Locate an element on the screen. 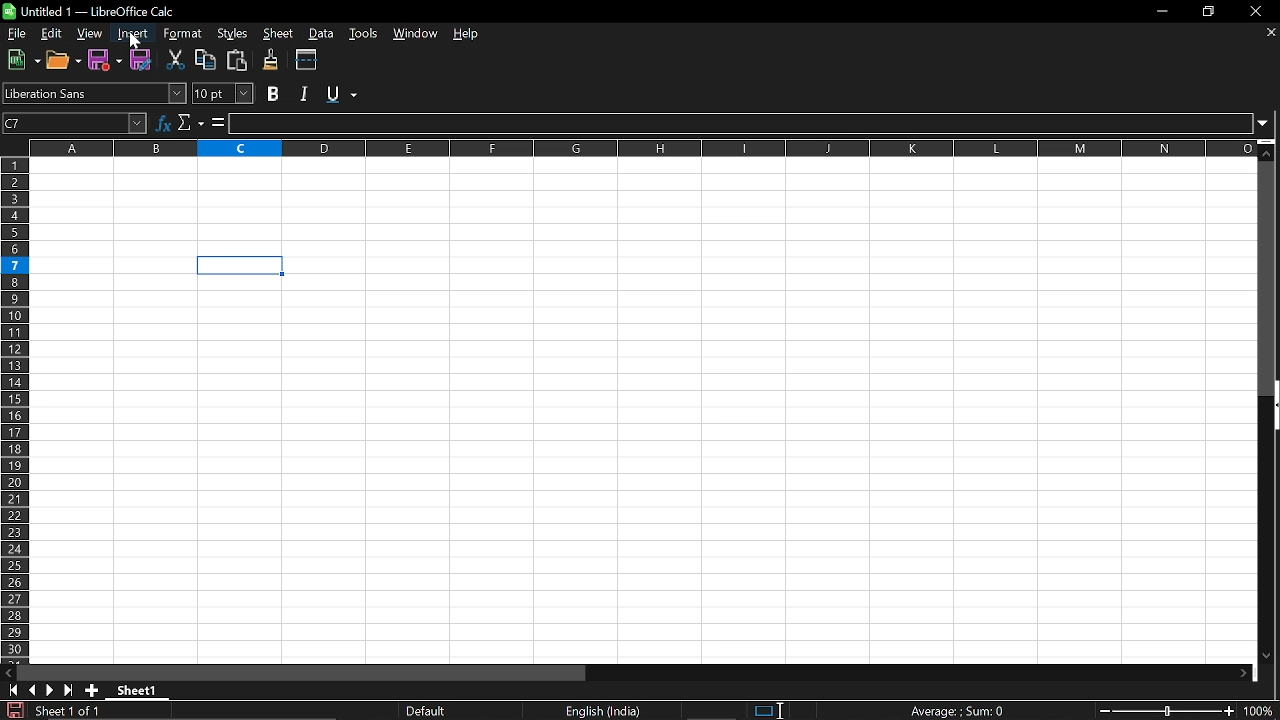  MOve left is located at coordinates (8, 673).